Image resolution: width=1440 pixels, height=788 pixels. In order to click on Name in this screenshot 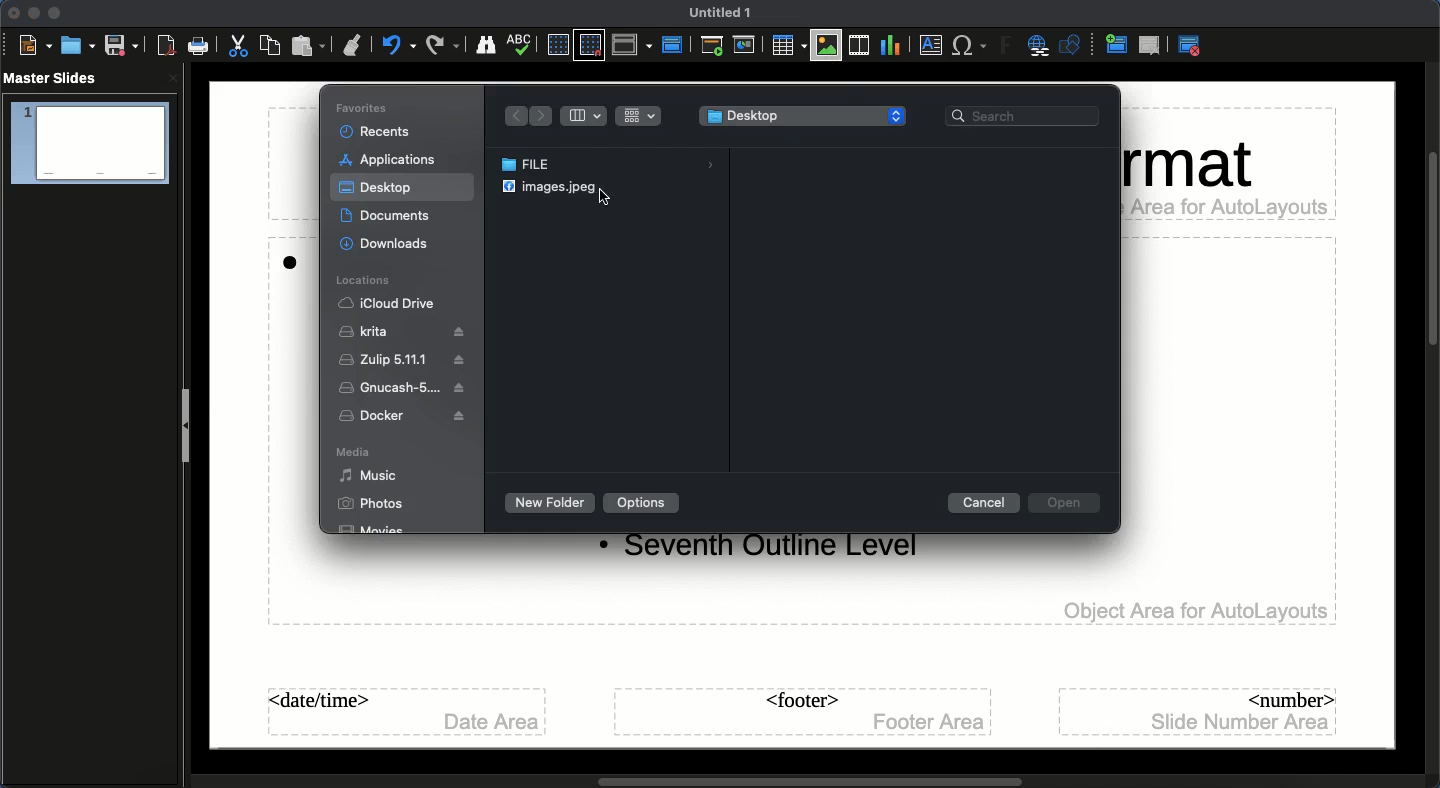, I will do `click(716, 12)`.